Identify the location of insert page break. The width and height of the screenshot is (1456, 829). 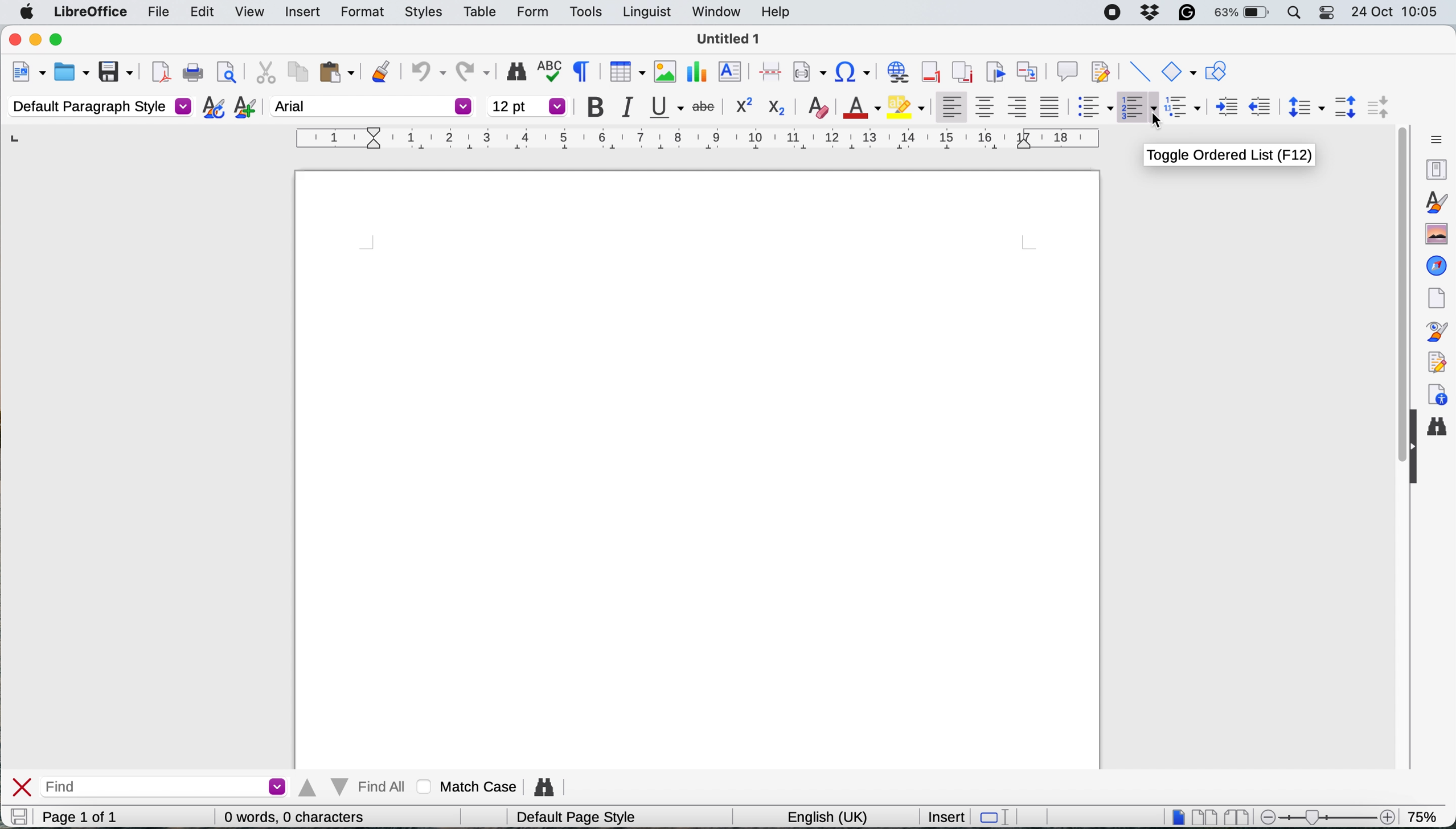
(769, 71).